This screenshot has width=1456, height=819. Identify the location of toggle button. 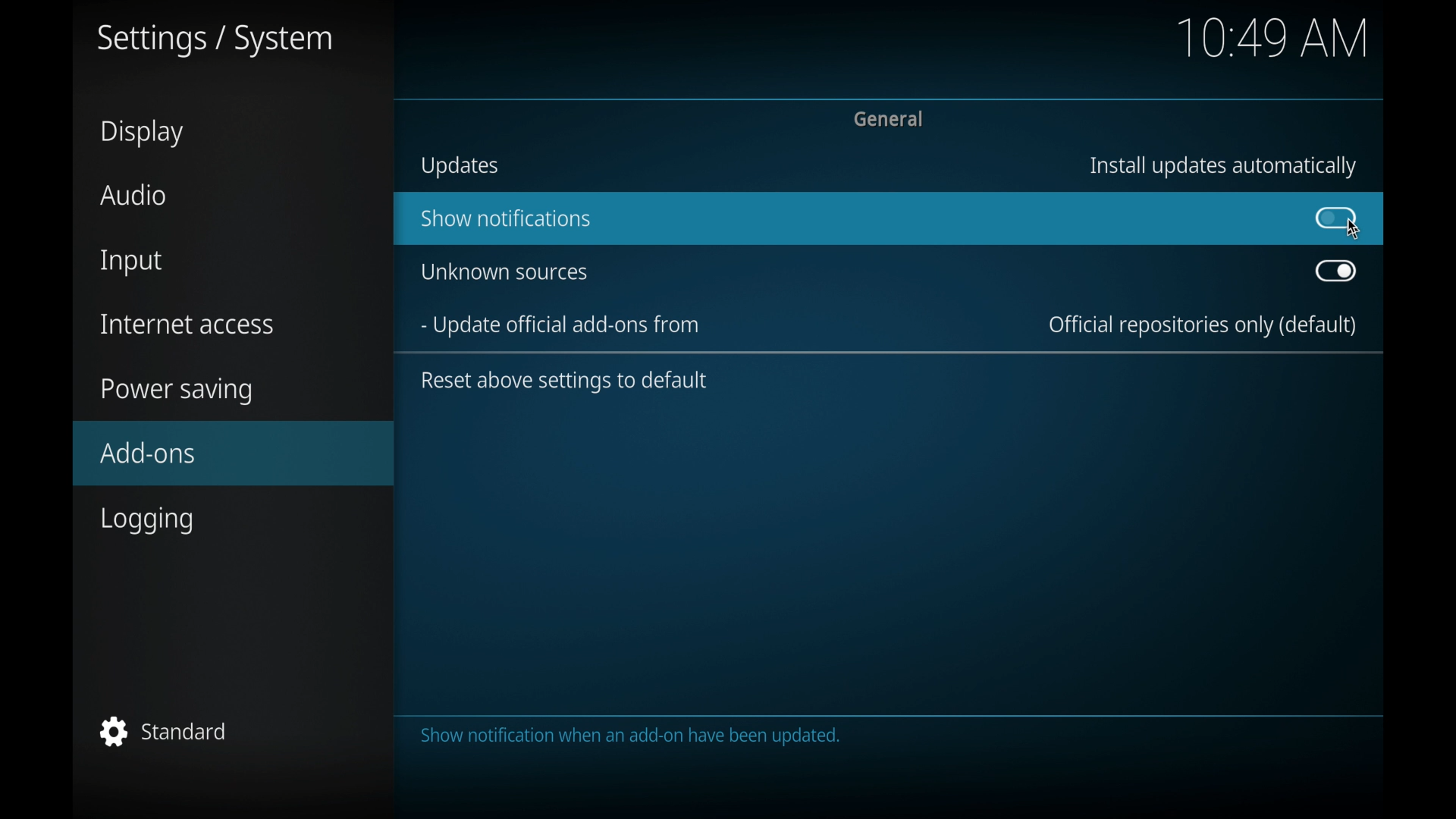
(1335, 271).